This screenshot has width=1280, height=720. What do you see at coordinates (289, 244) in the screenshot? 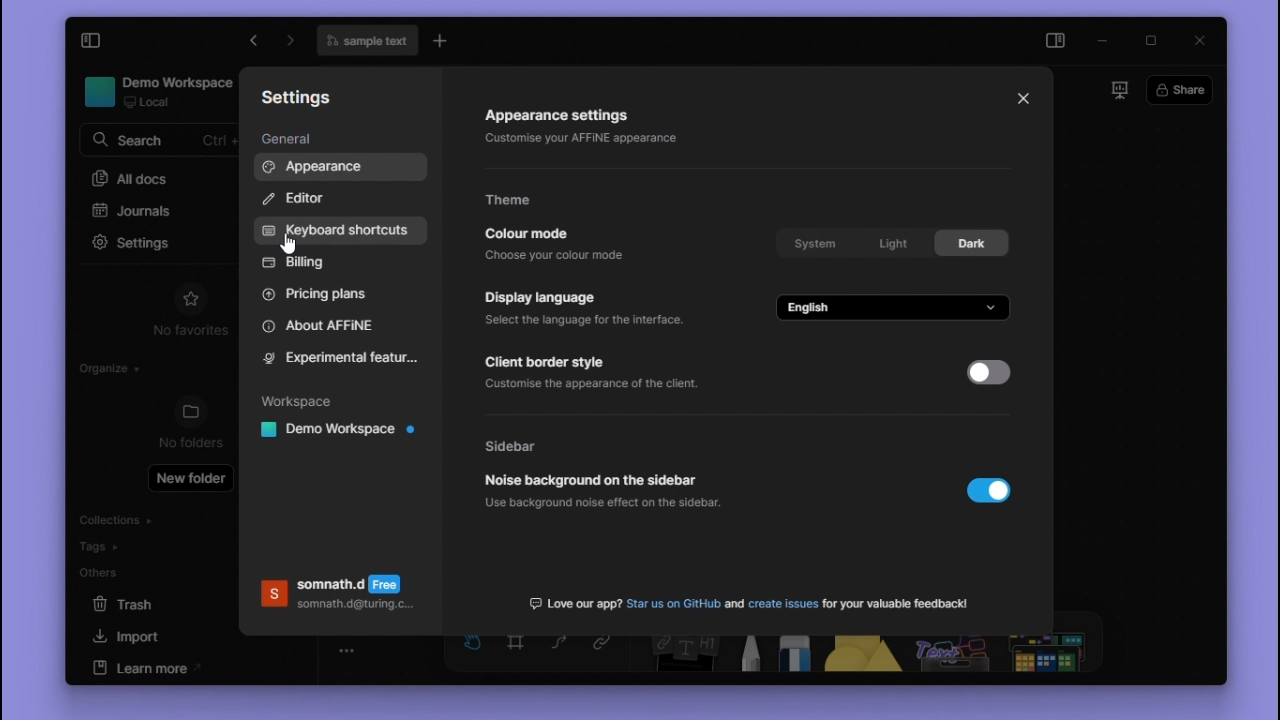
I see `cursor` at bounding box center [289, 244].